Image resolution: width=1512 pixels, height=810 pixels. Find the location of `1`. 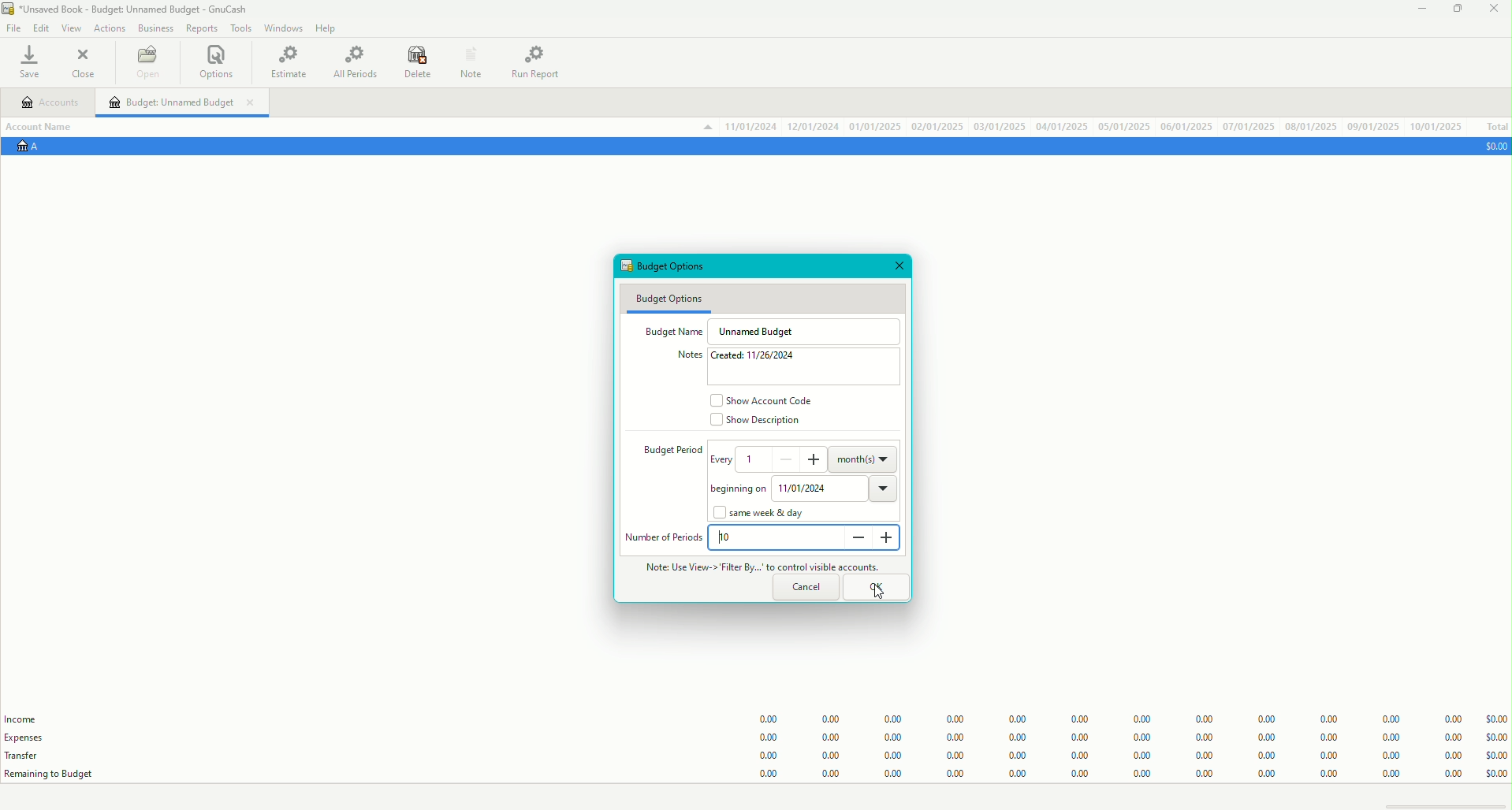

1 is located at coordinates (756, 459).